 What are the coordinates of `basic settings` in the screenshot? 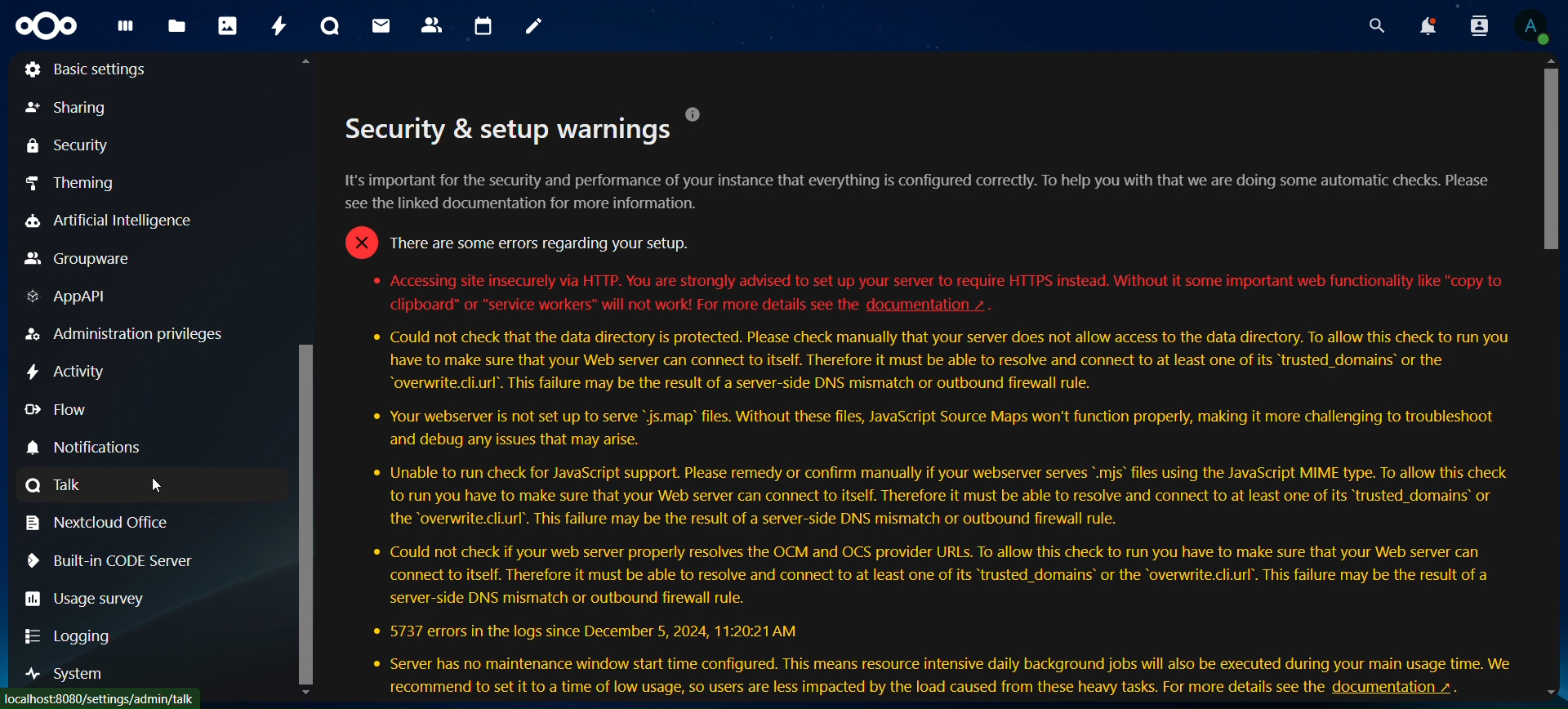 It's located at (87, 69).